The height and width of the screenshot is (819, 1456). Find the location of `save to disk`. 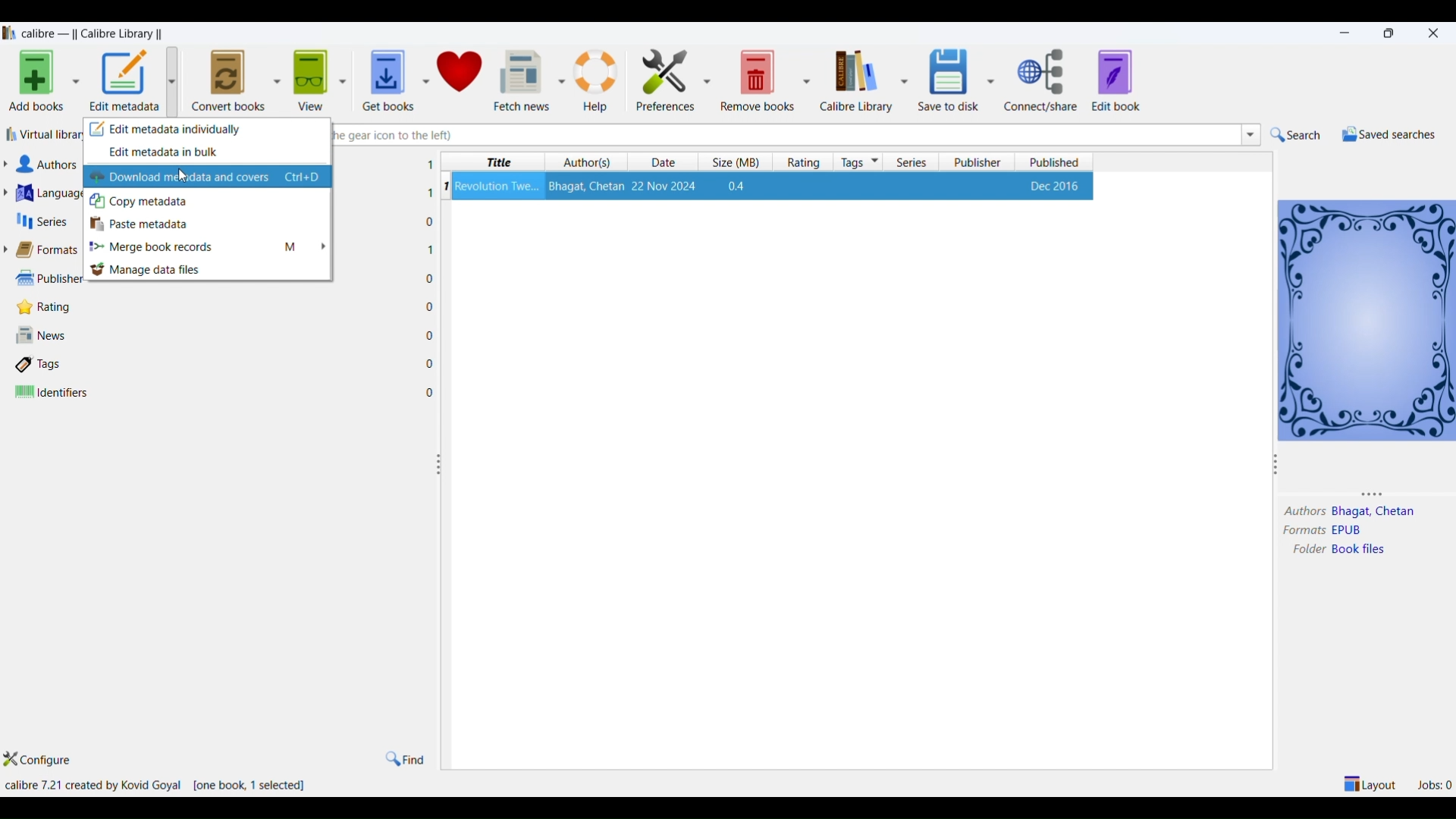

save to disk is located at coordinates (946, 76).